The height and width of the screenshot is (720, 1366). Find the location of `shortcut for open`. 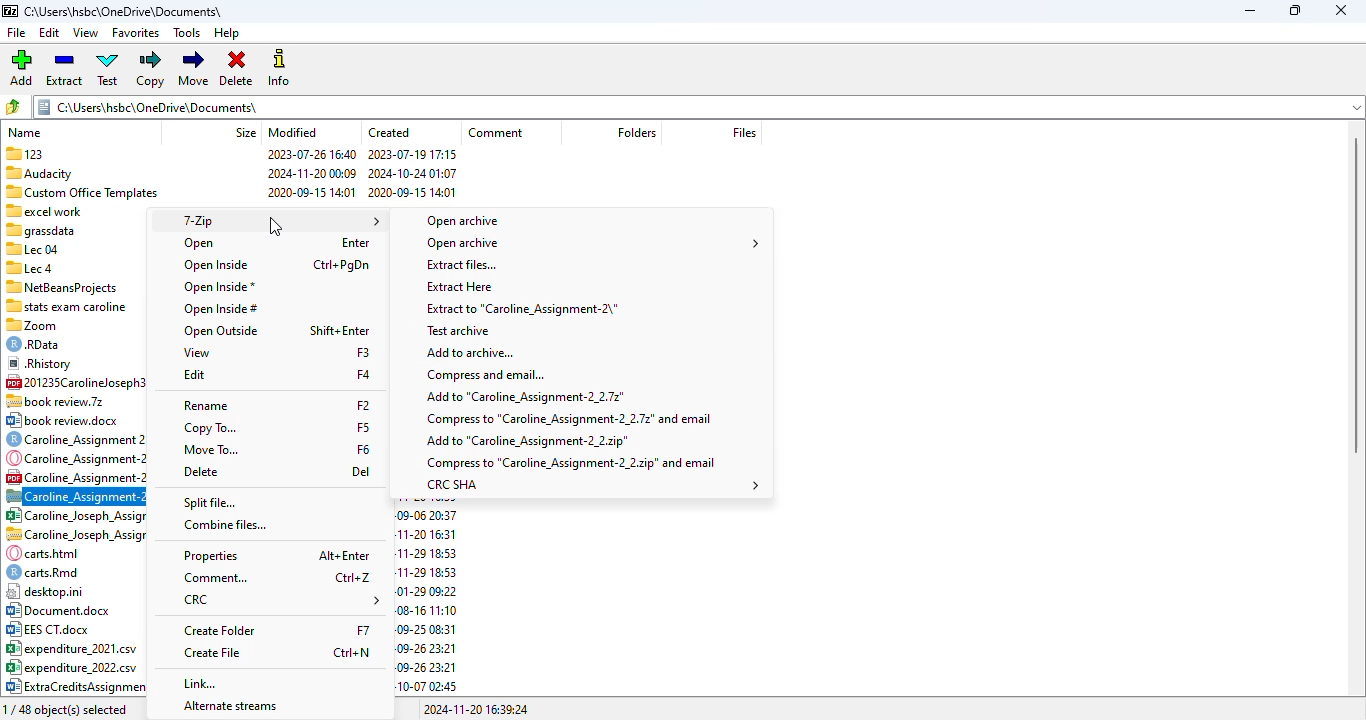

shortcut for open is located at coordinates (356, 242).